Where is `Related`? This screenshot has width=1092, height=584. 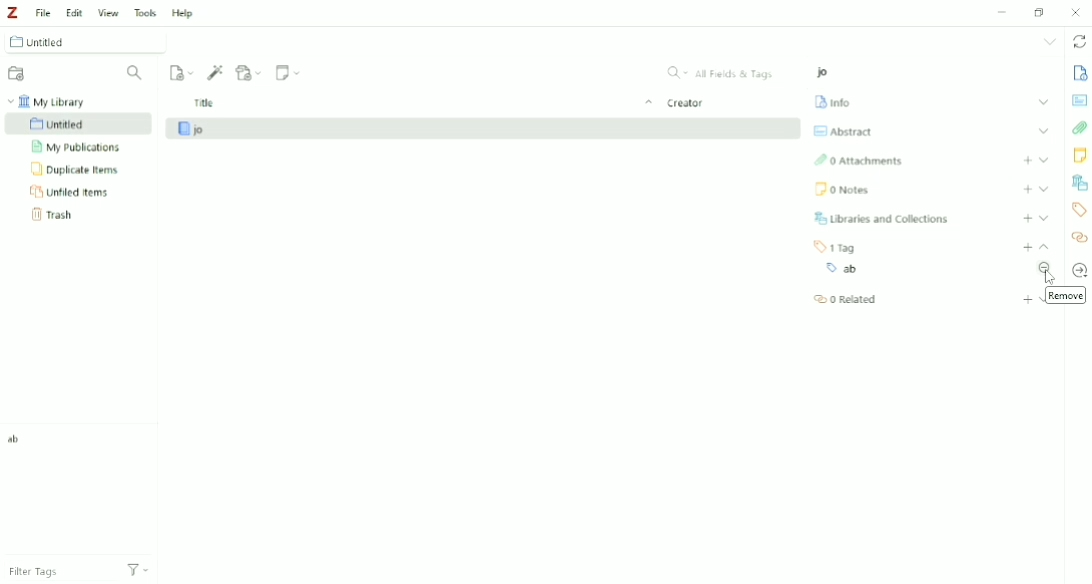 Related is located at coordinates (1079, 237).